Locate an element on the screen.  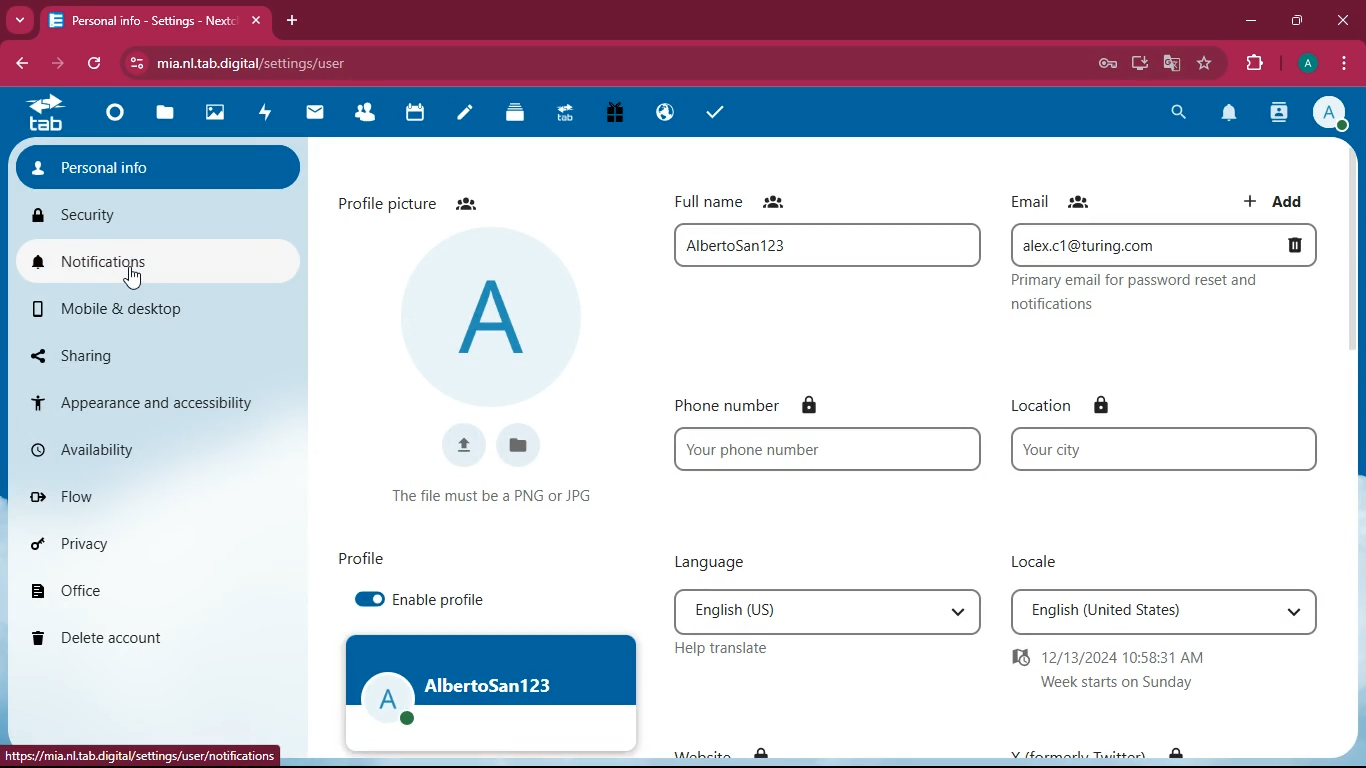
mobile & desktop is located at coordinates (155, 307).